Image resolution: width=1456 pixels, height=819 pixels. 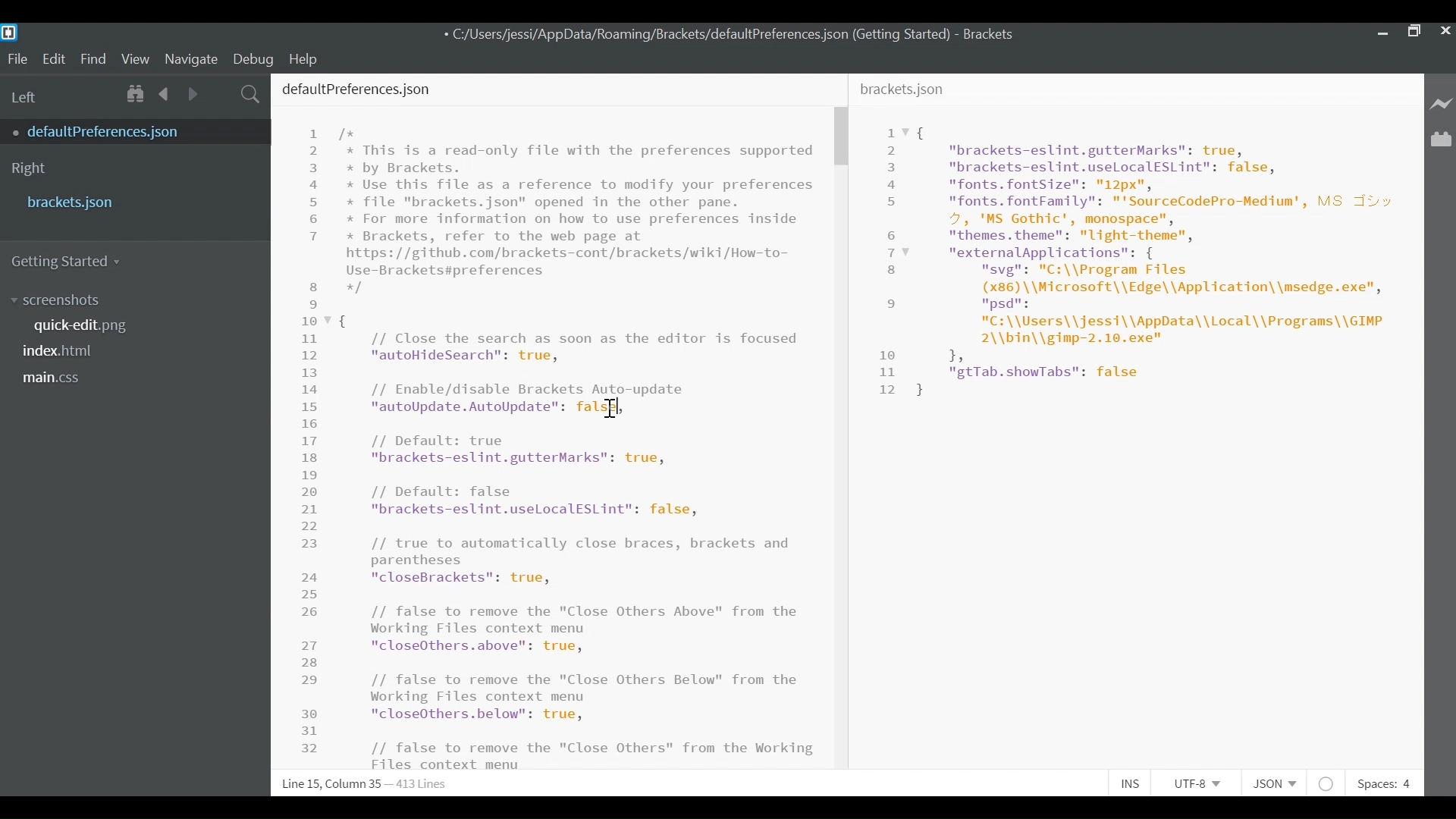 What do you see at coordinates (311, 58) in the screenshot?
I see `Help` at bounding box center [311, 58].